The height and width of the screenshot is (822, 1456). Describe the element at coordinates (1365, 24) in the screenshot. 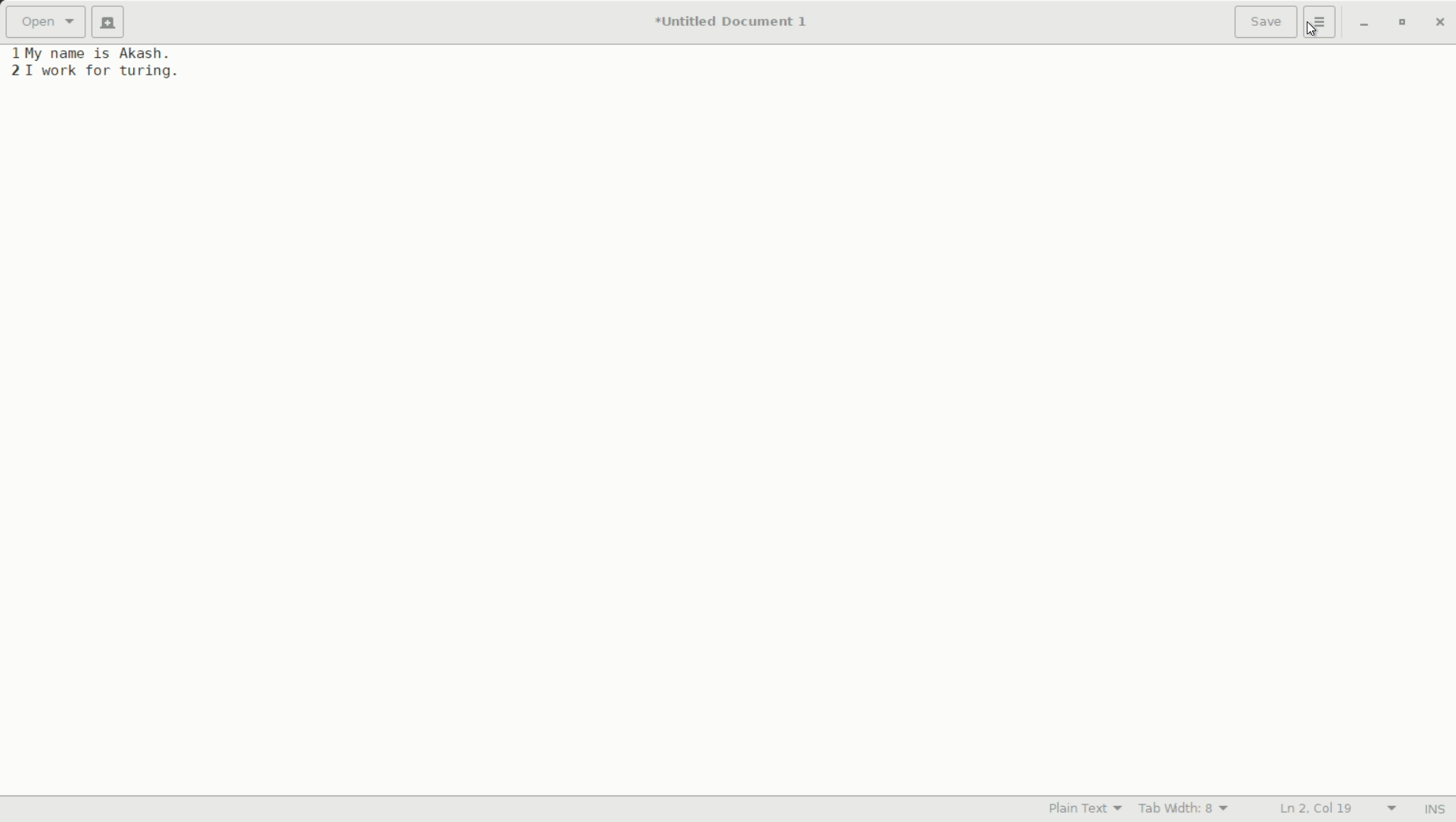

I see `minimize` at that location.